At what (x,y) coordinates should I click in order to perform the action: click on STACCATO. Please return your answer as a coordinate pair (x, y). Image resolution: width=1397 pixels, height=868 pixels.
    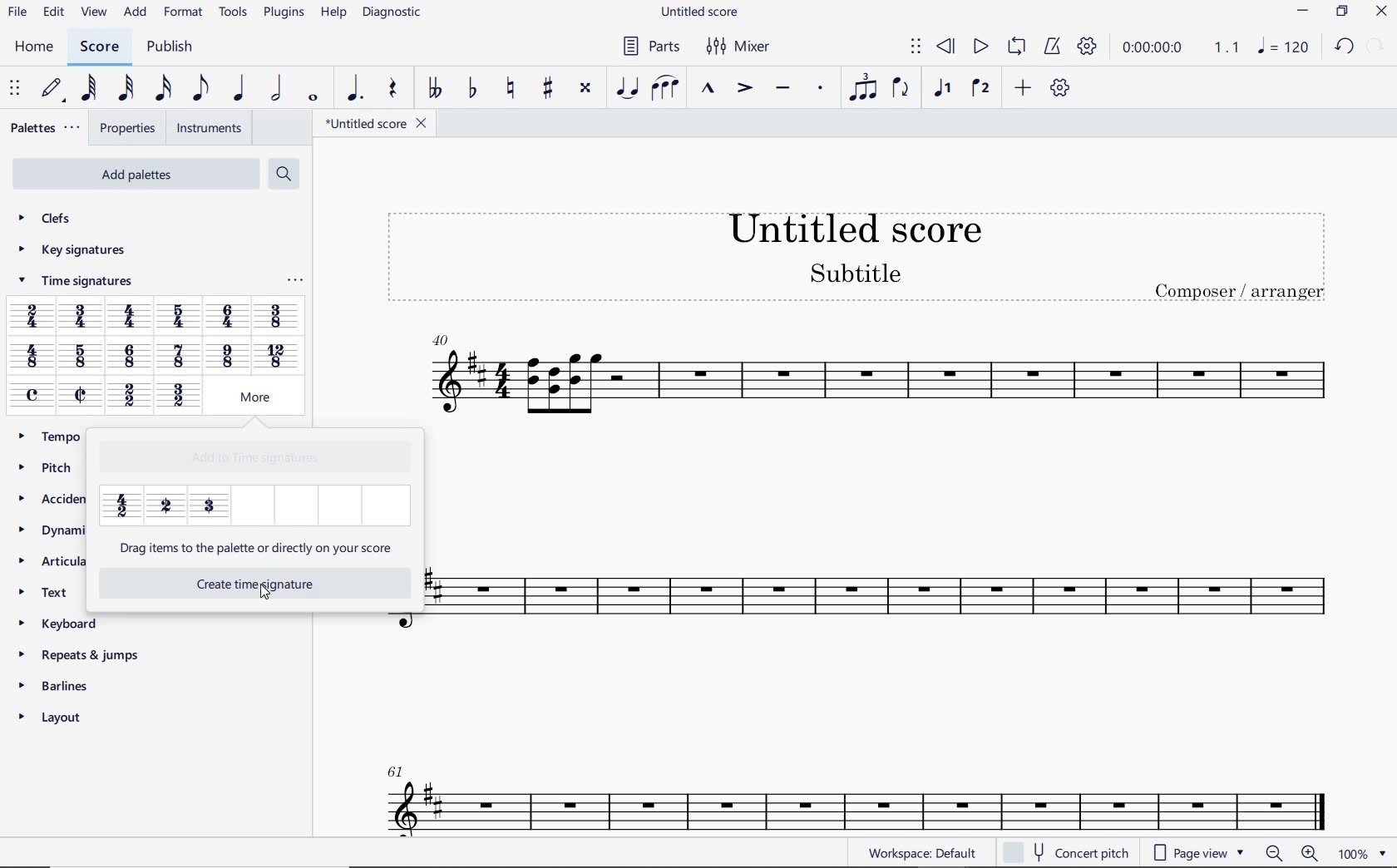
    Looking at the image, I should click on (822, 90).